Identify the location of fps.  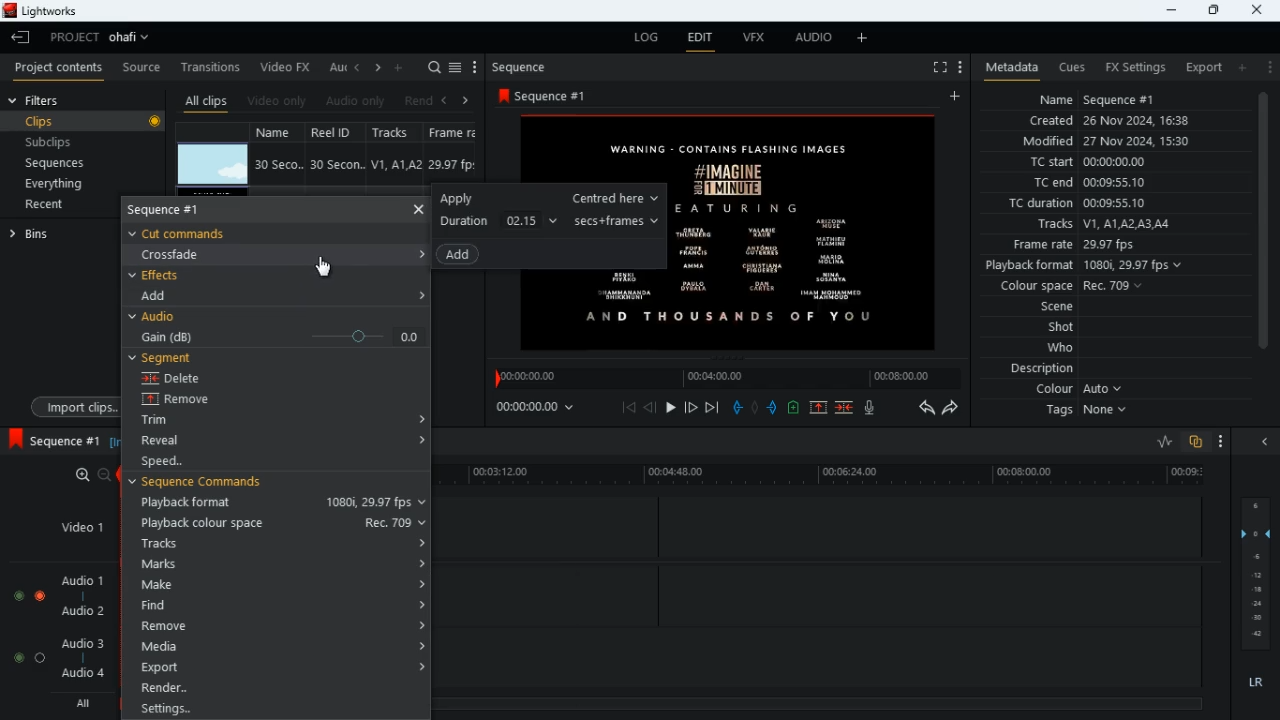
(454, 132).